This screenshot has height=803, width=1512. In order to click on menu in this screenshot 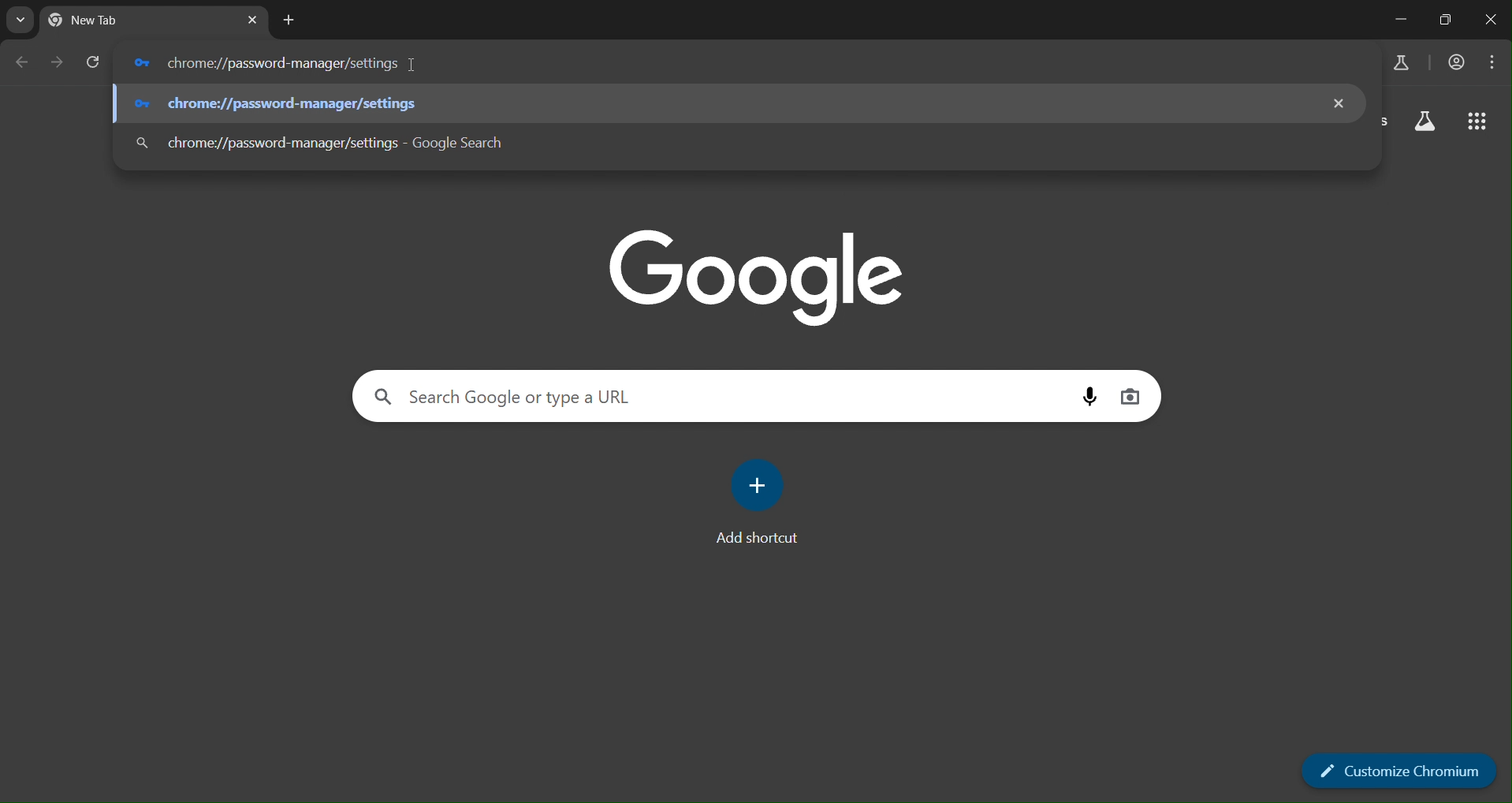, I will do `click(1492, 64)`.